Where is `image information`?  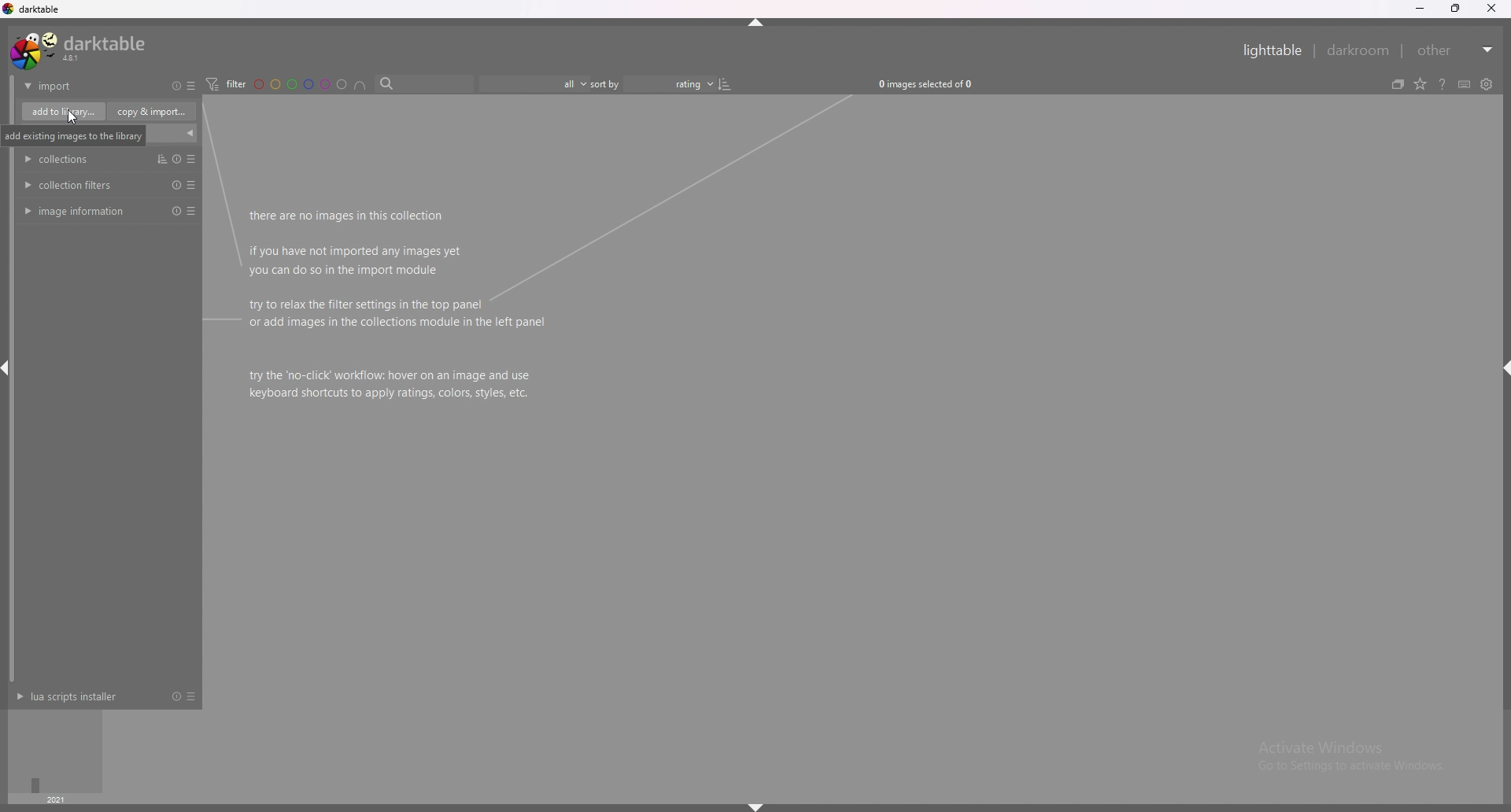
image information is located at coordinates (78, 212).